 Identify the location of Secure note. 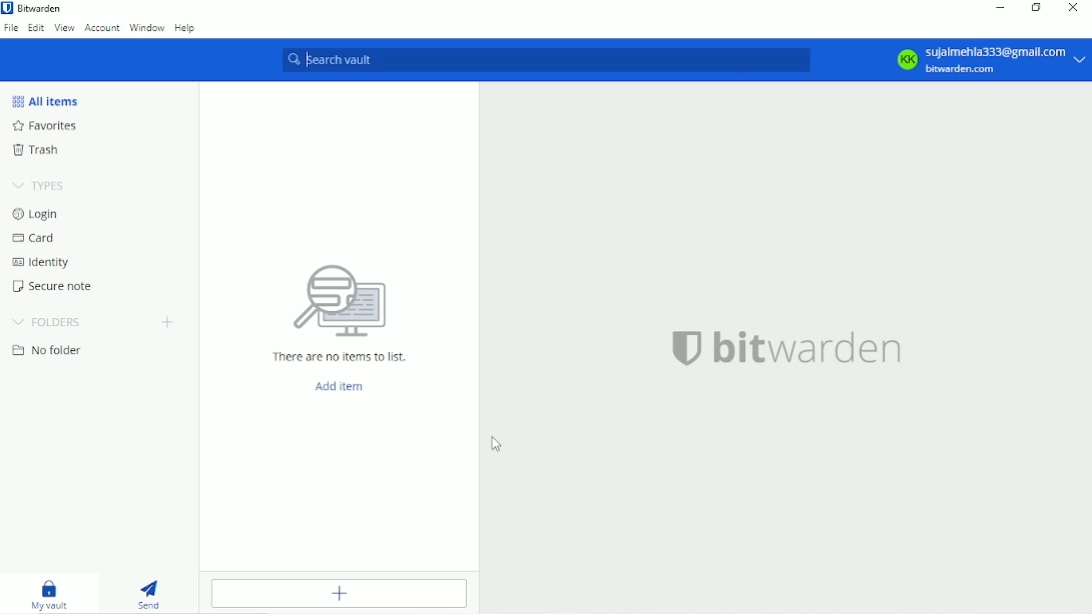
(56, 288).